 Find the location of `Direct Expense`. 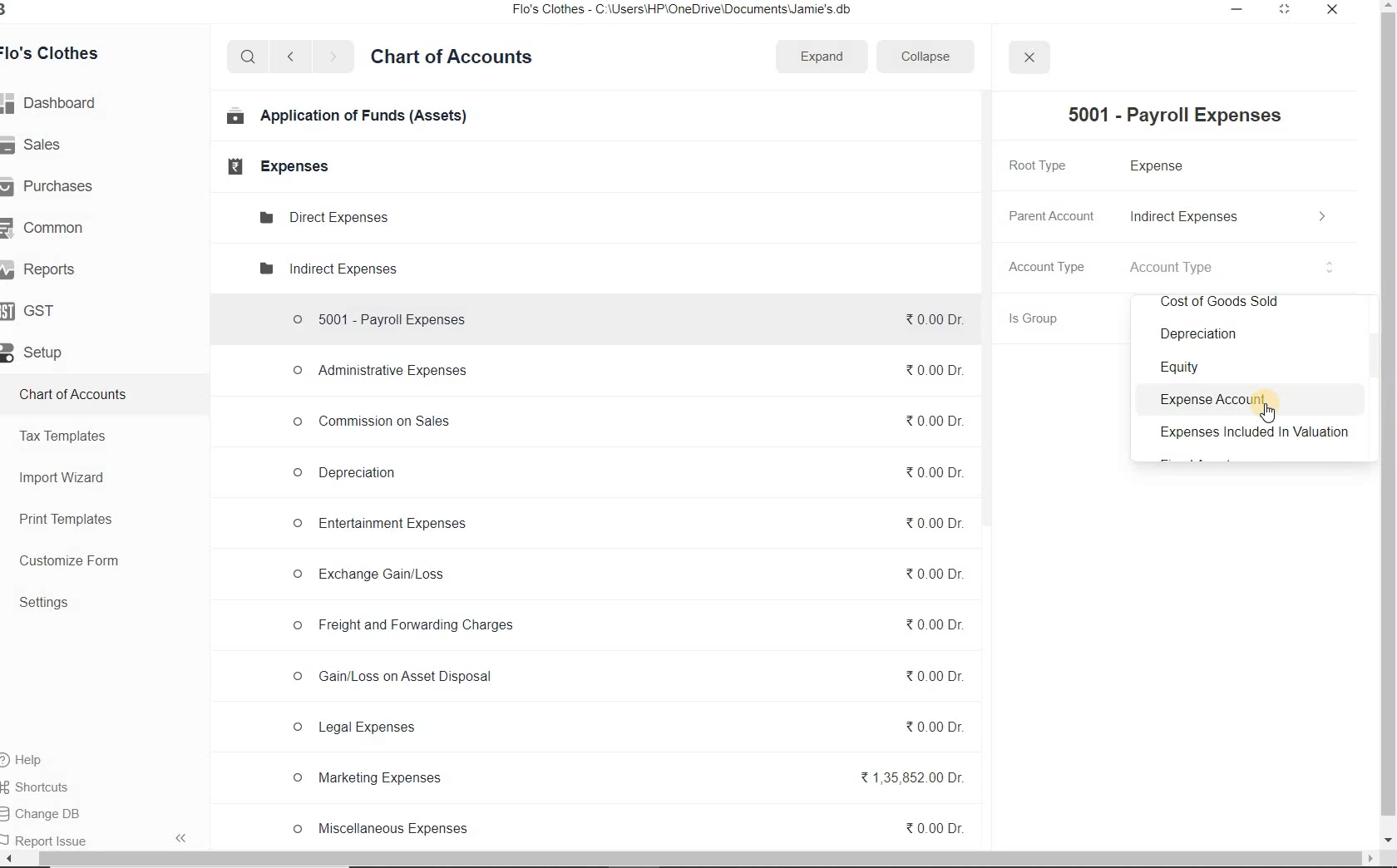

Direct Expense is located at coordinates (323, 216).